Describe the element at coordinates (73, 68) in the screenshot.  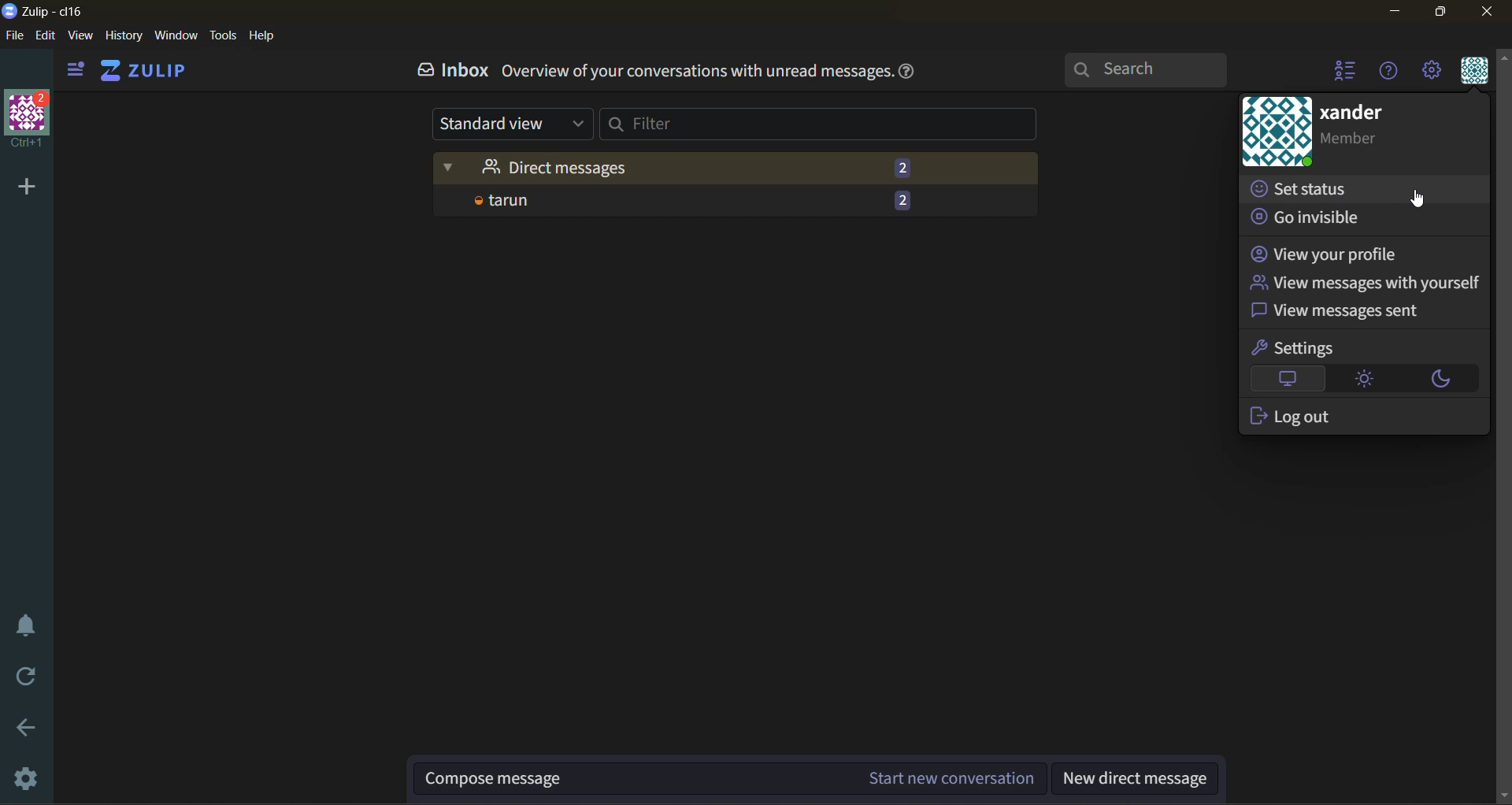
I see `hide sidebar ` at that location.